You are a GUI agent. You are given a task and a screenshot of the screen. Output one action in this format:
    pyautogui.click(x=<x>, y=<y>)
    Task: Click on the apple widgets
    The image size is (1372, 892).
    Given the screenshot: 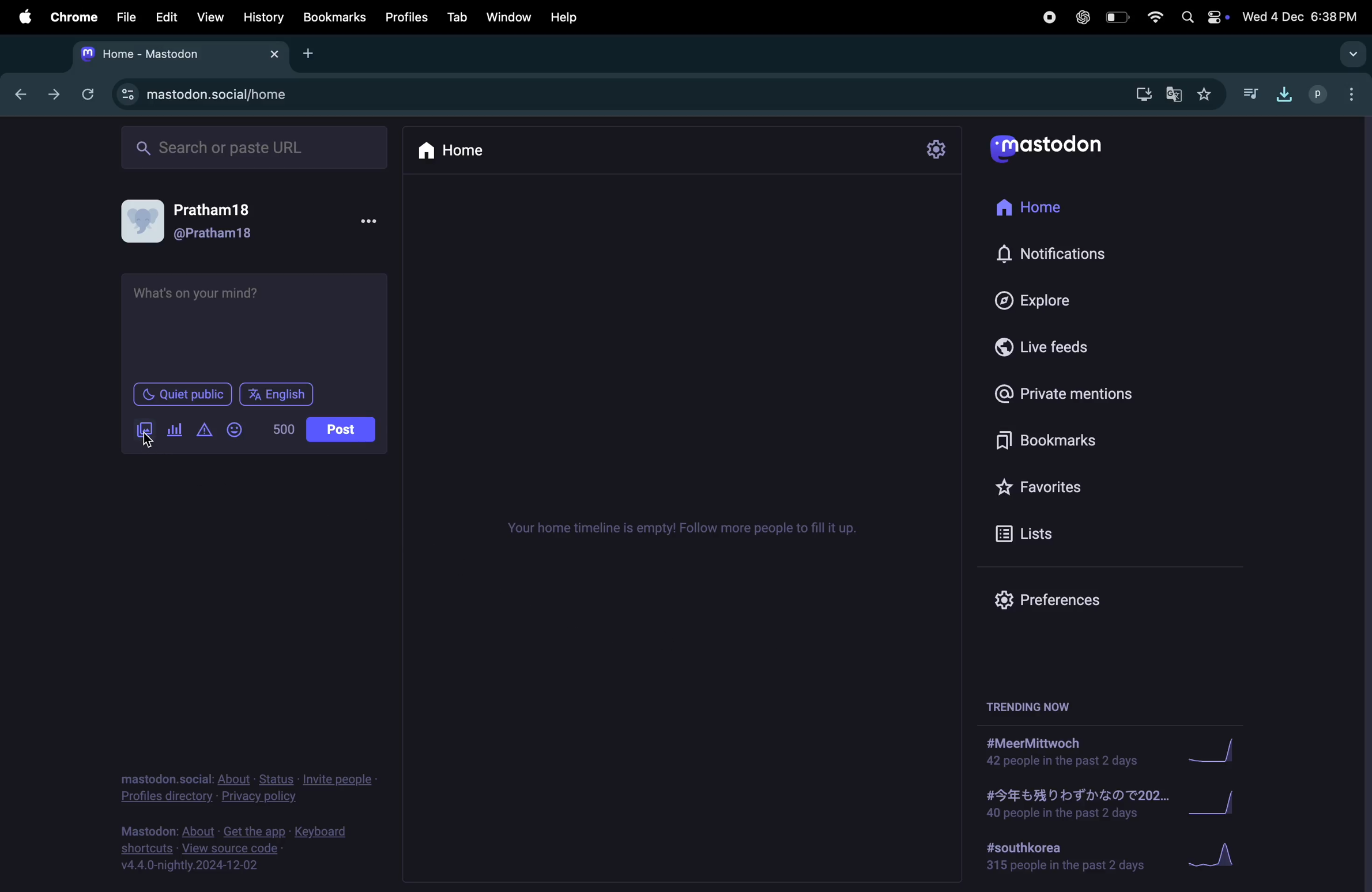 What is the action you would take?
    pyautogui.click(x=1204, y=17)
    